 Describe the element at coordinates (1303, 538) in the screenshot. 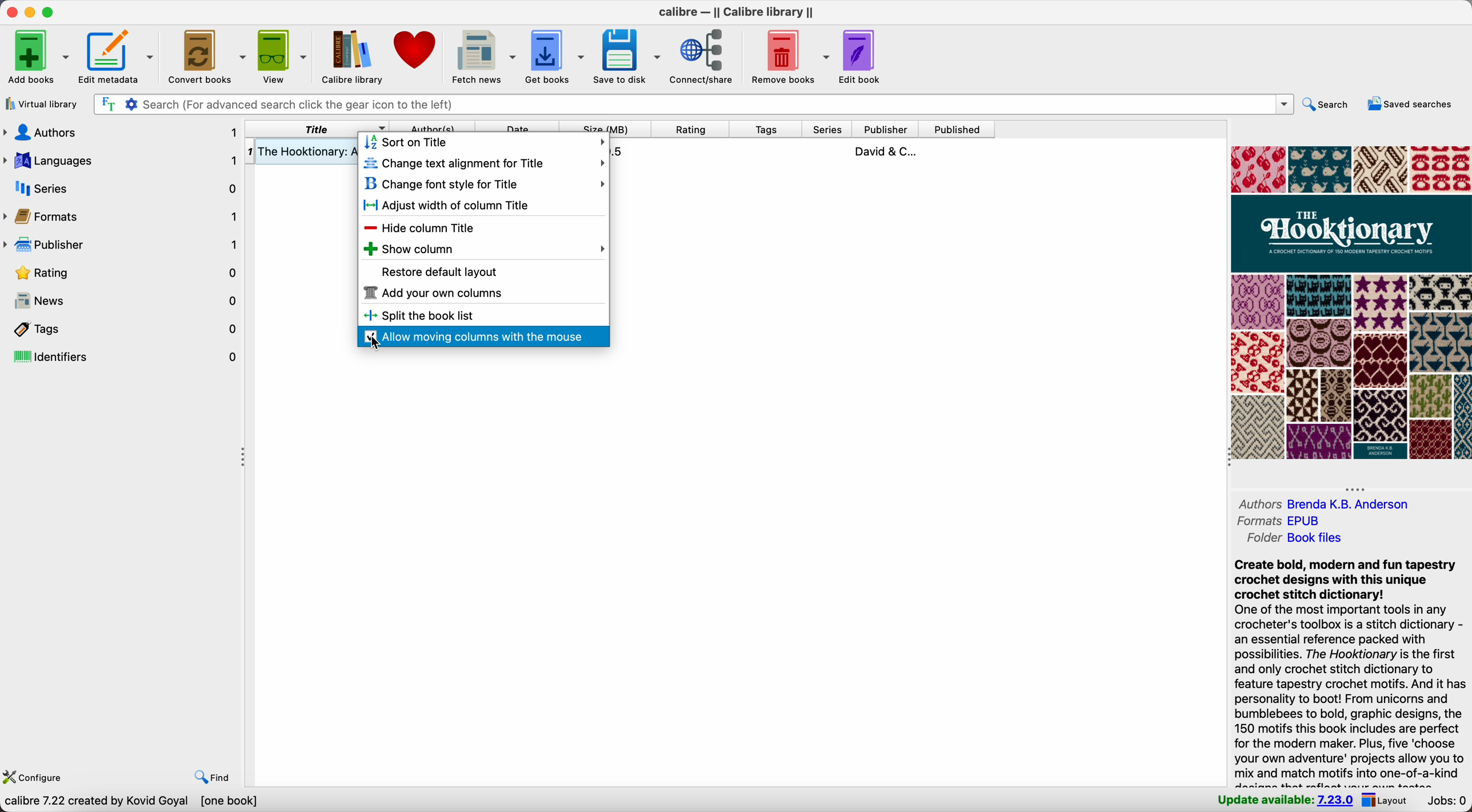

I see `folder` at that location.